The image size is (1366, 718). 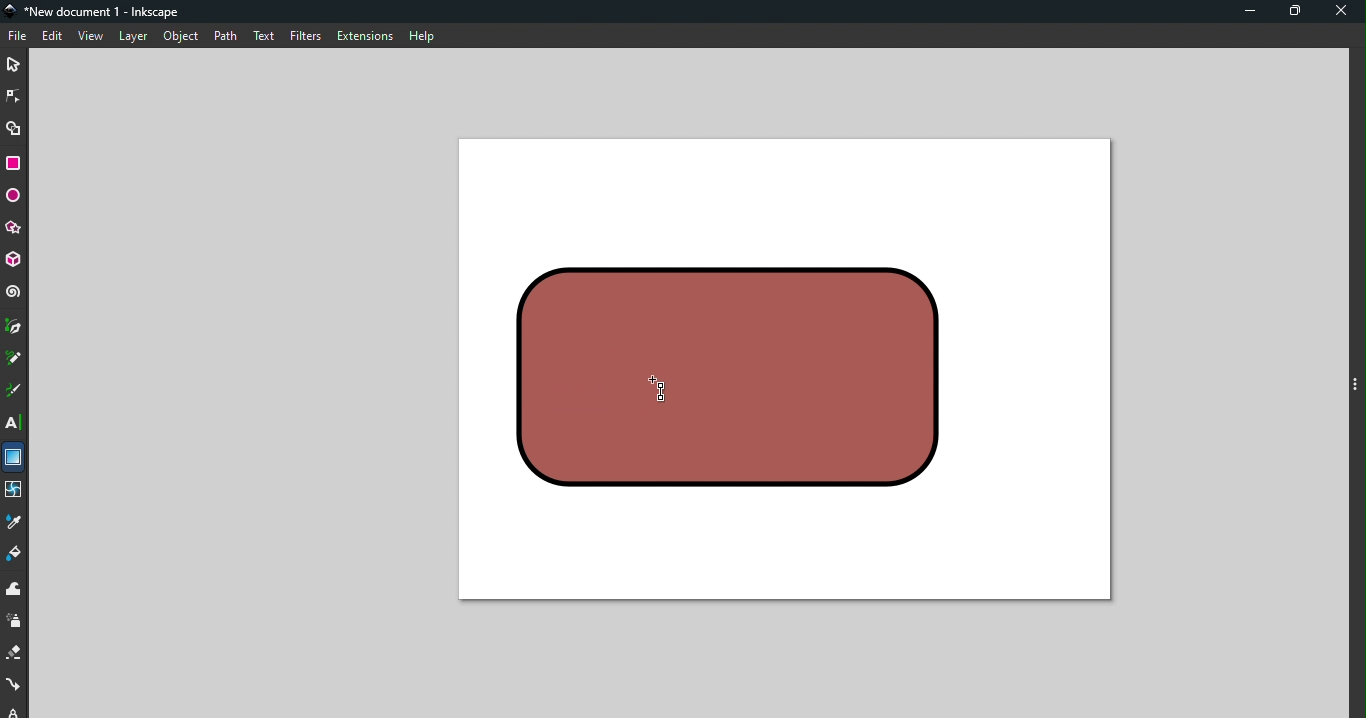 What do you see at coordinates (15, 654) in the screenshot?
I see `Eraser tool` at bounding box center [15, 654].